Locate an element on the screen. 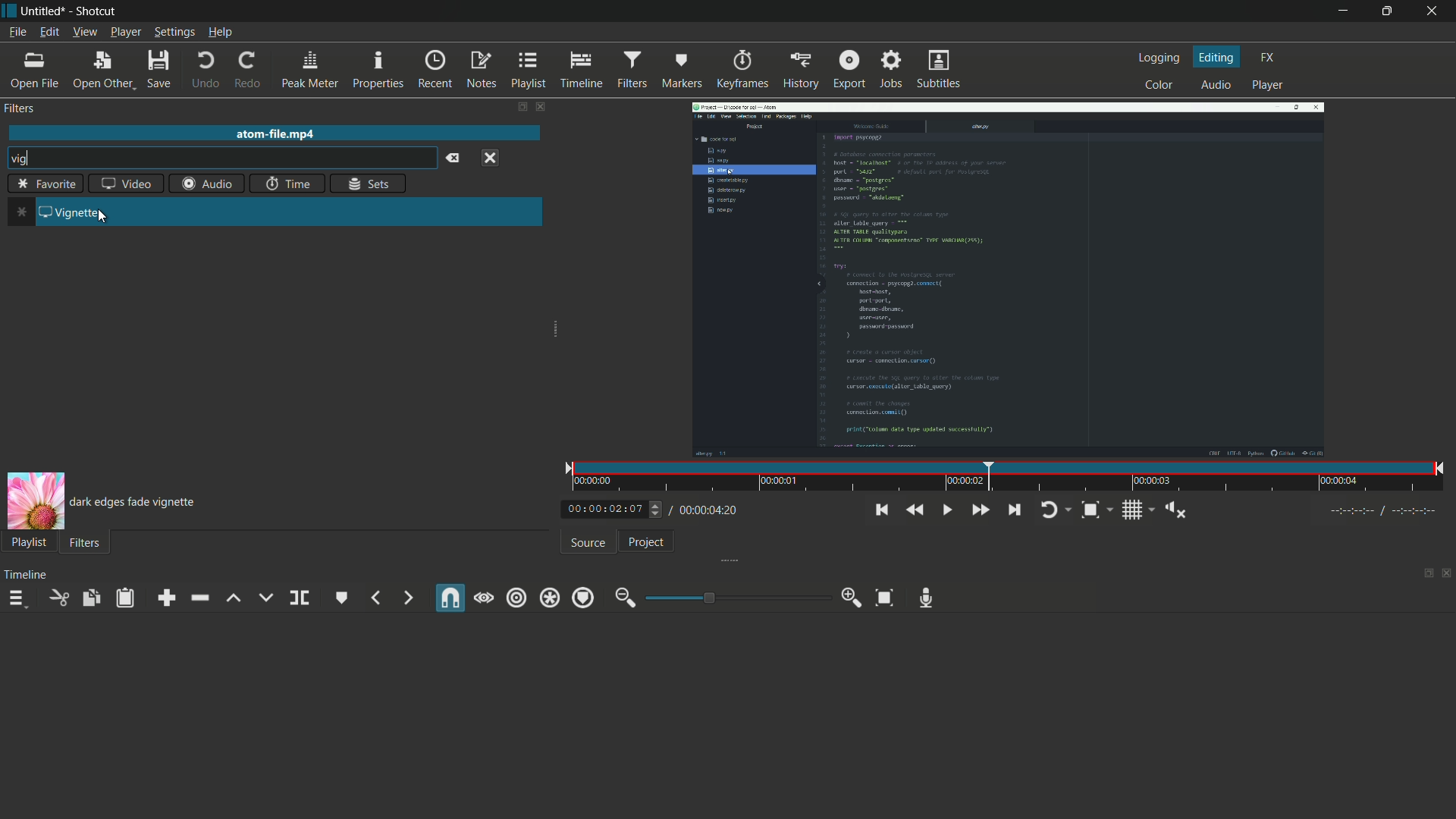 This screenshot has height=819, width=1456. app name is located at coordinates (99, 11).